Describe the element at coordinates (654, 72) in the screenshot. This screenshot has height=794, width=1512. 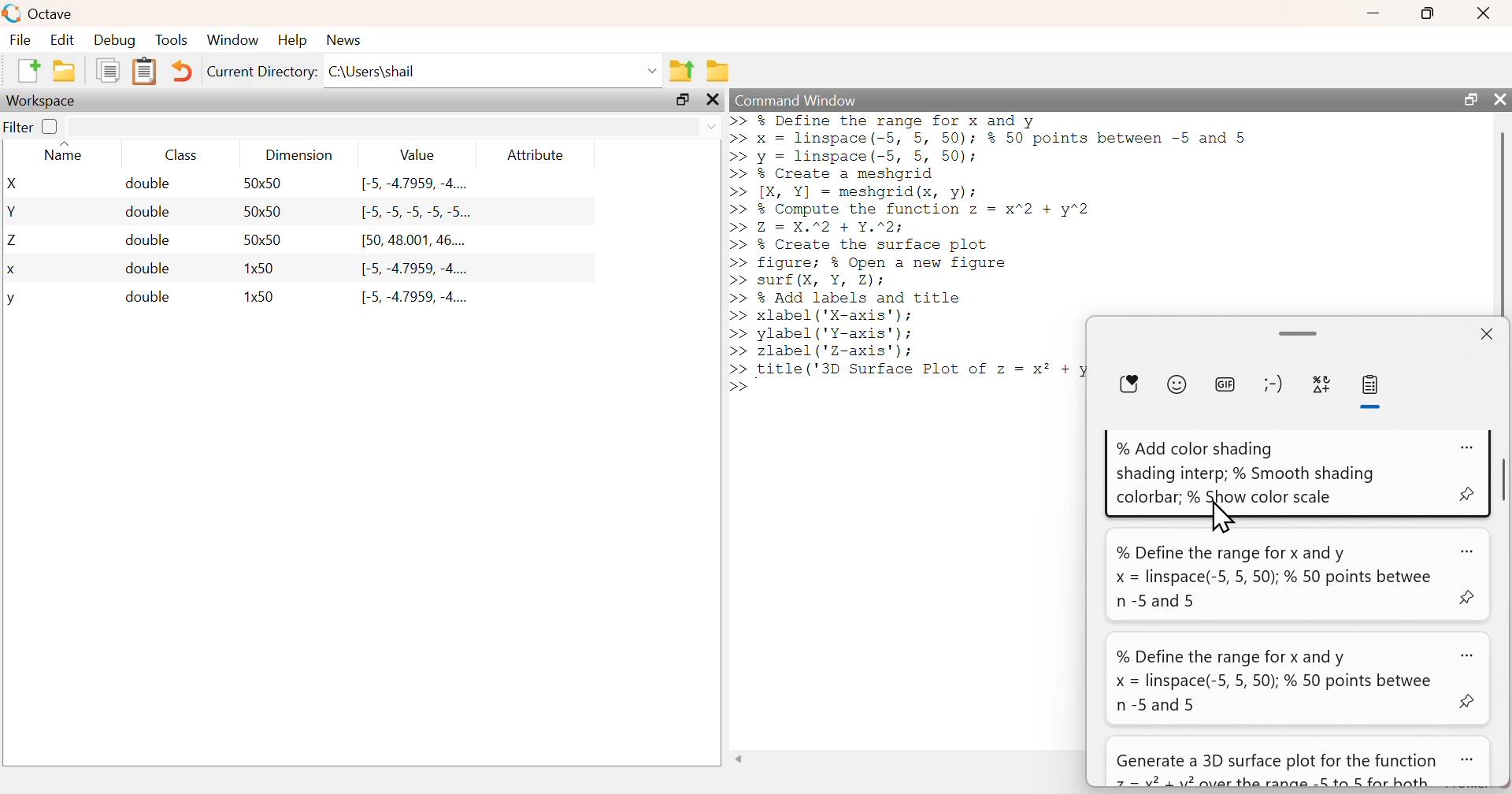
I see `Dropdown` at that location.